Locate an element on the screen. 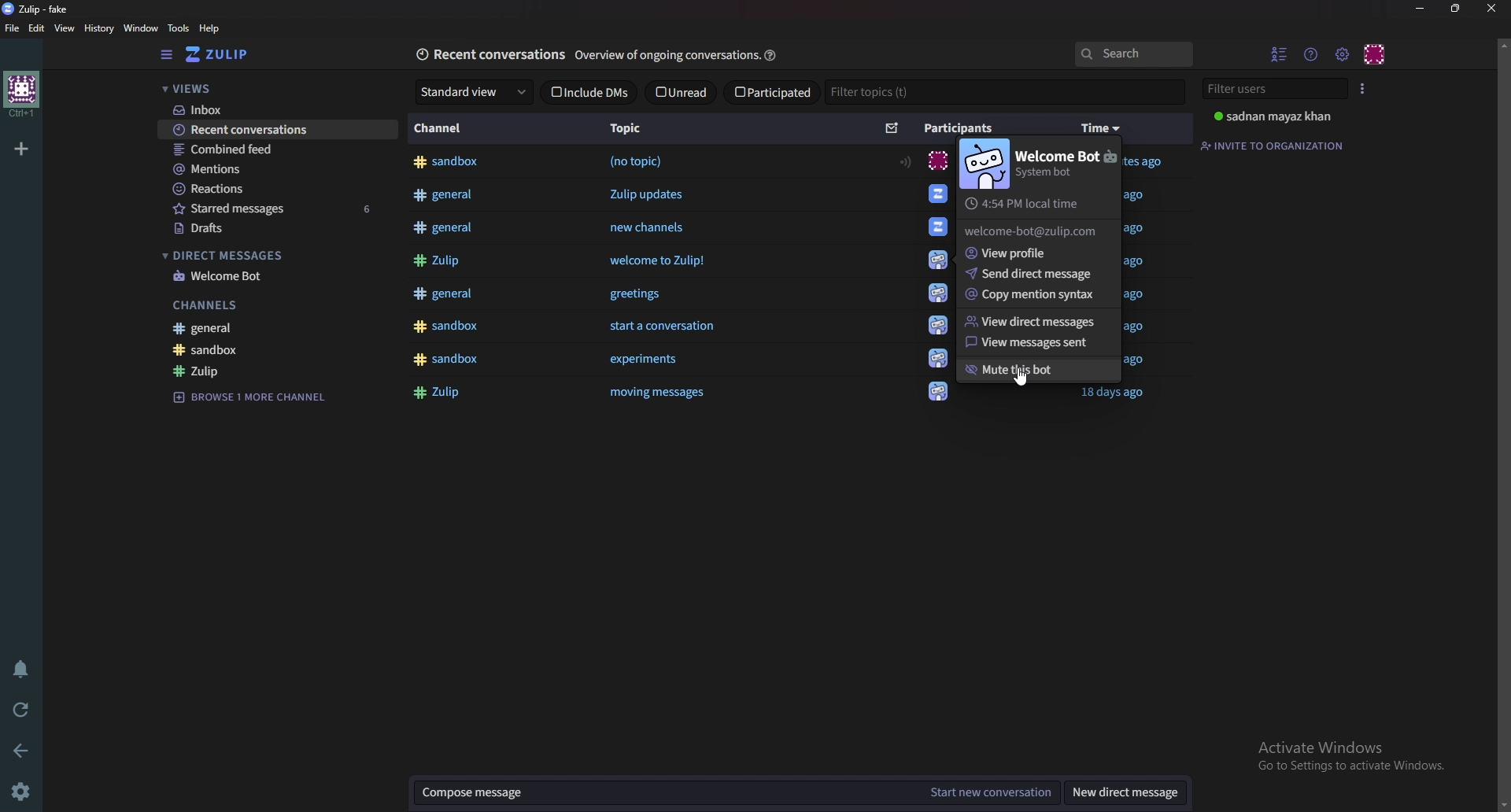  Hide user list is located at coordinates (1280, 53).